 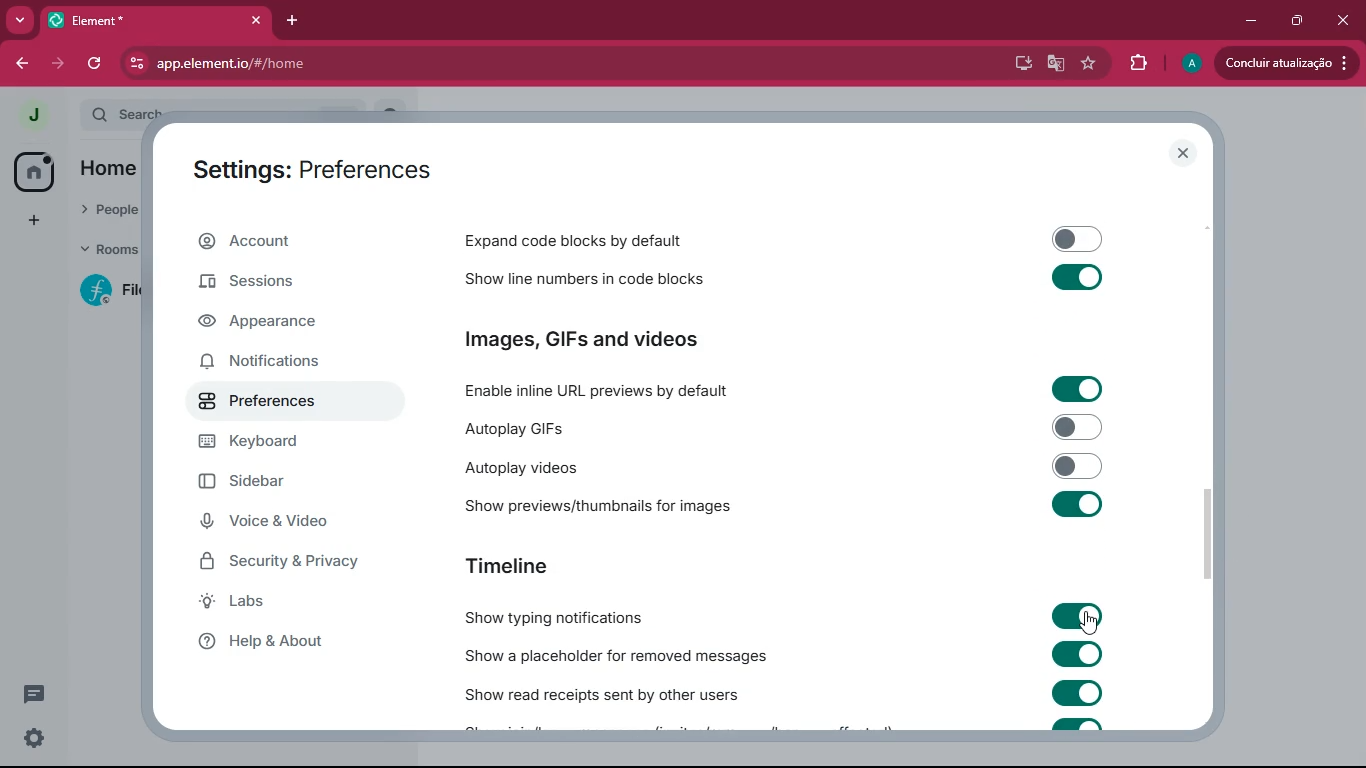 I want to click on cursor, so click(x=1089, y=624).